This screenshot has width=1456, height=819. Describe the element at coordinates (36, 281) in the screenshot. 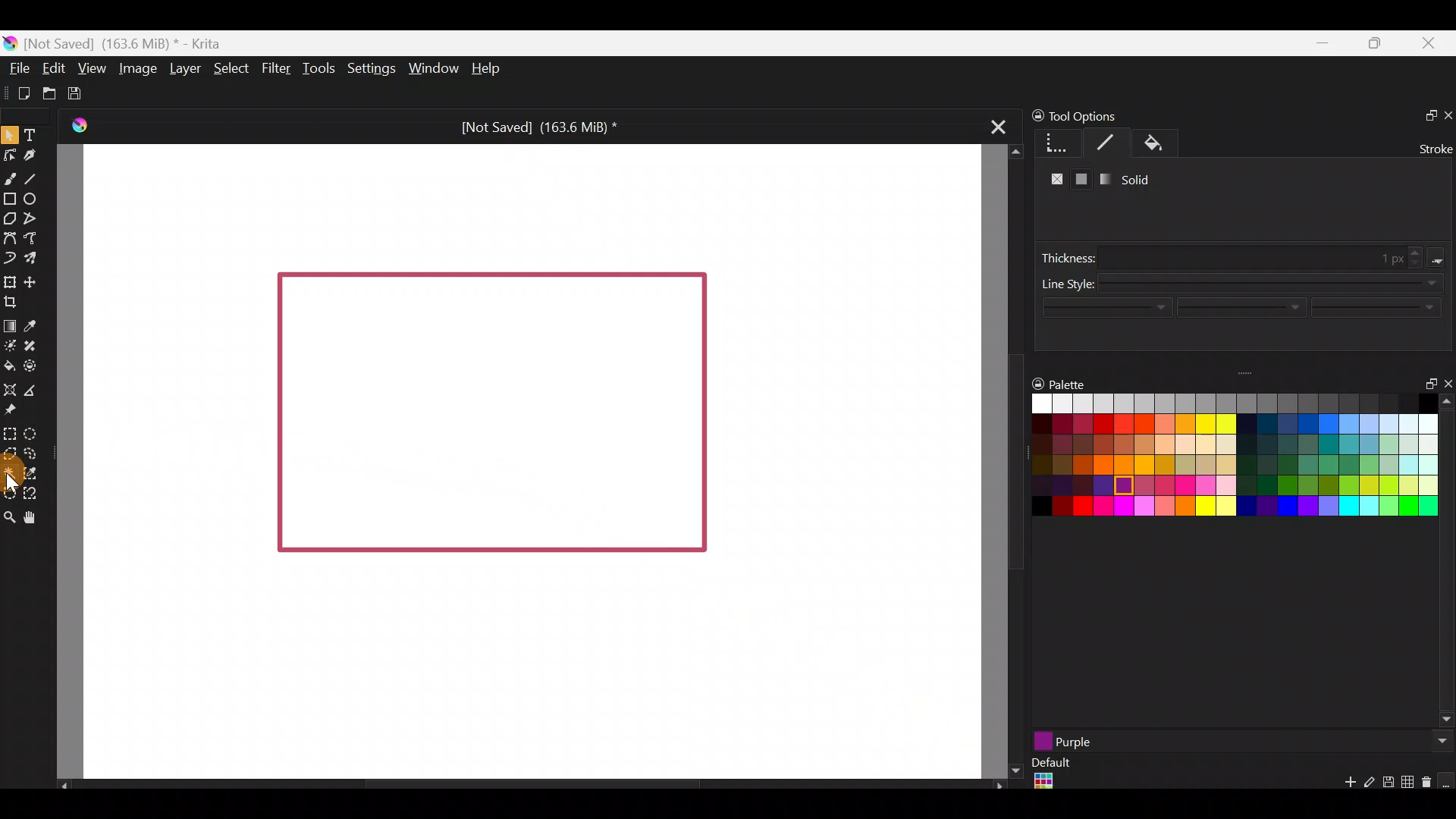

I see `Move a layer` at that location.